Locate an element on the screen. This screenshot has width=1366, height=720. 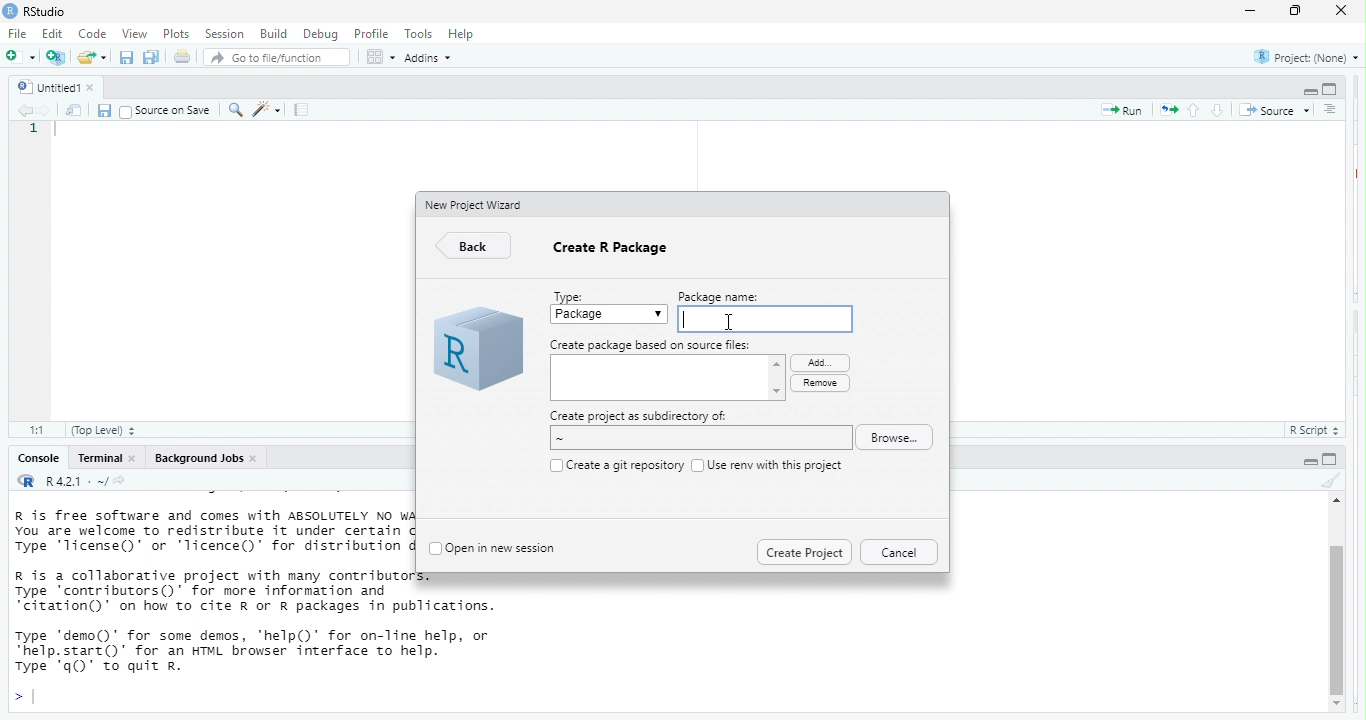
option is located at coordinates (379, 57).